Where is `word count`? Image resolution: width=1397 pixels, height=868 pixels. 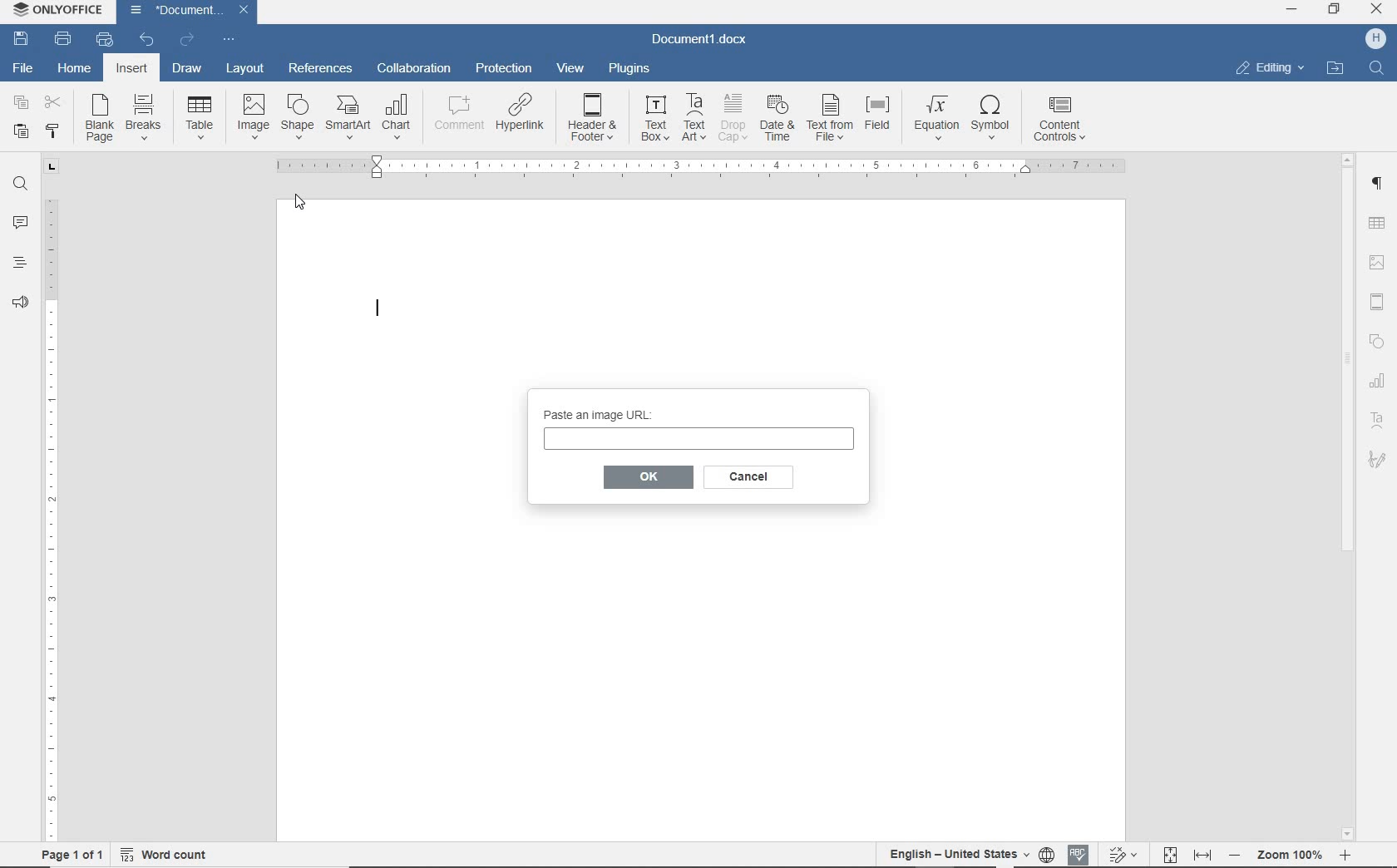 word count is located at coordinates (169, 856).